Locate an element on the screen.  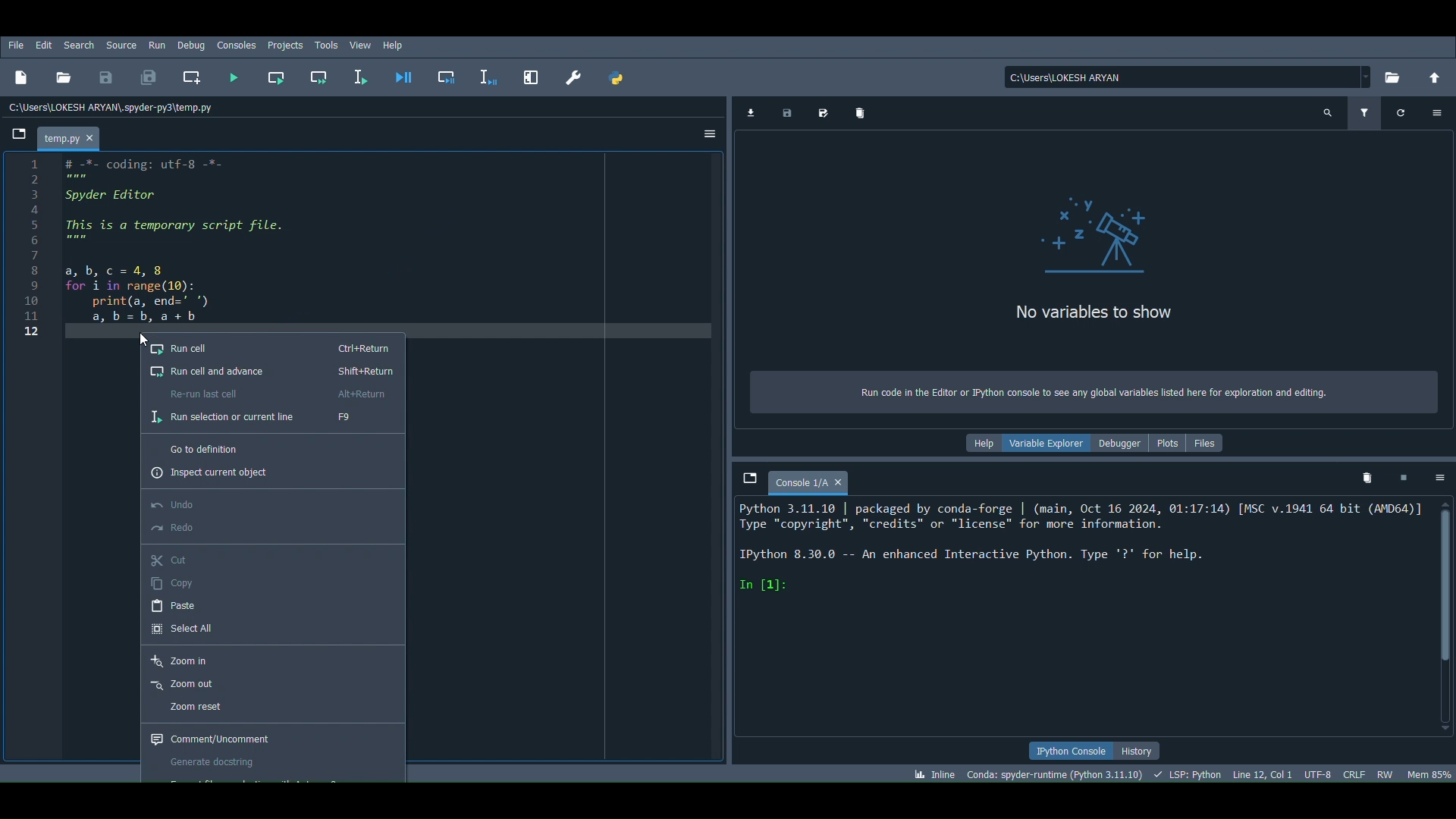
Run code in the Editor or Python console to see any global variables listed here for exploration and editing. is located at coordinates (1082, 393).